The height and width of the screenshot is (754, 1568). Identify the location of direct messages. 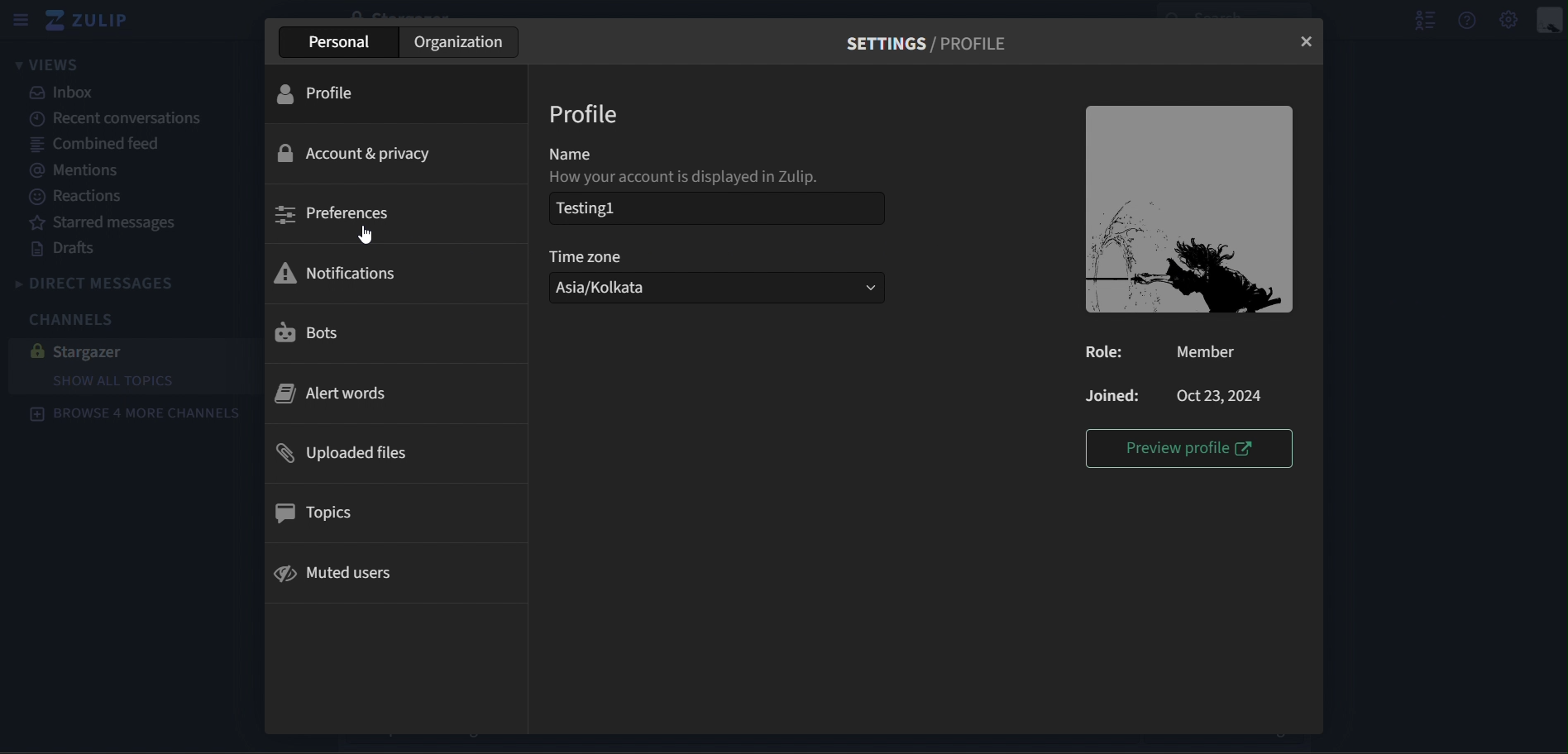
(110, 282).